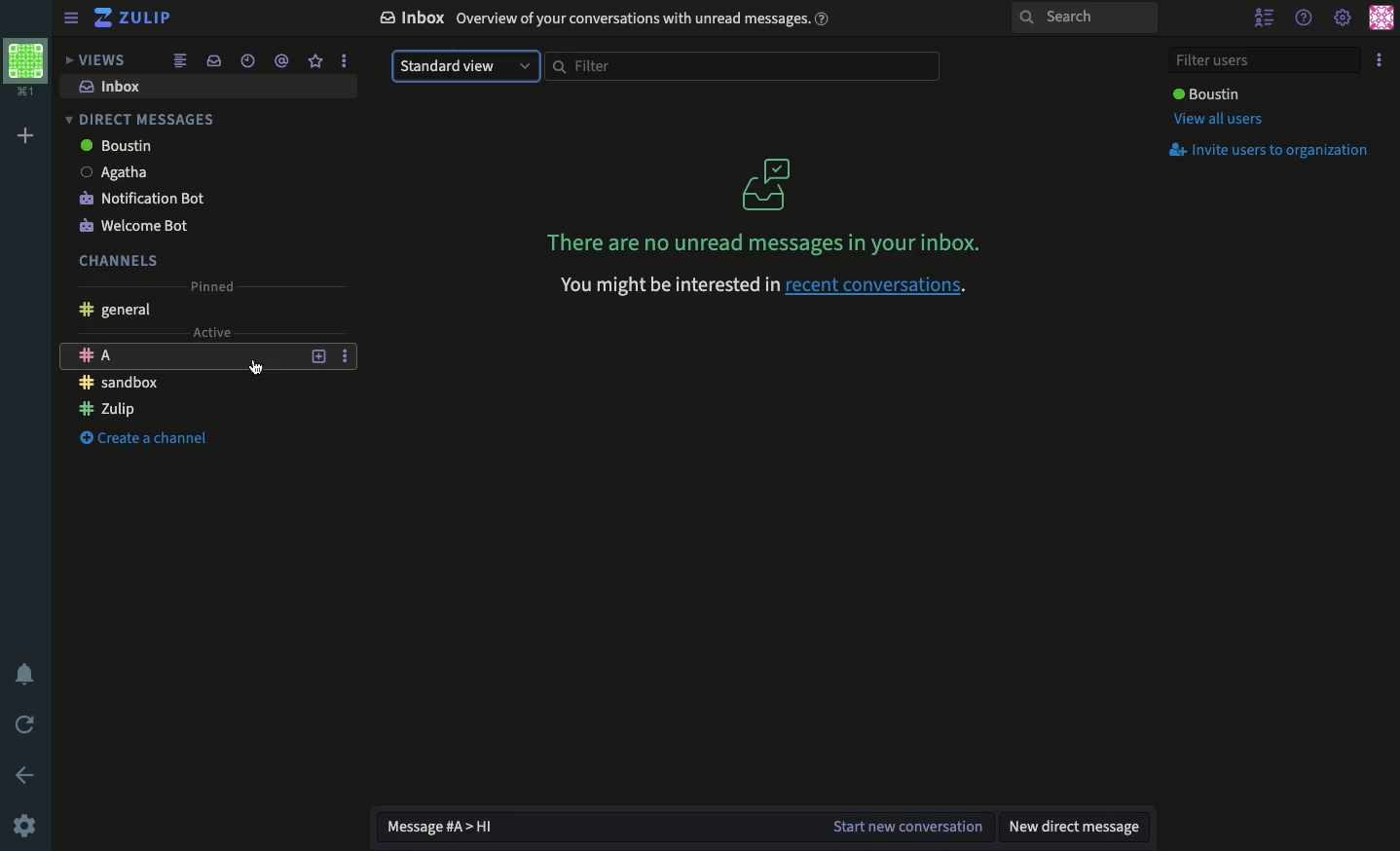 This screenshot has height=851, width=1400. I want to click on Message, so click(588, 828).